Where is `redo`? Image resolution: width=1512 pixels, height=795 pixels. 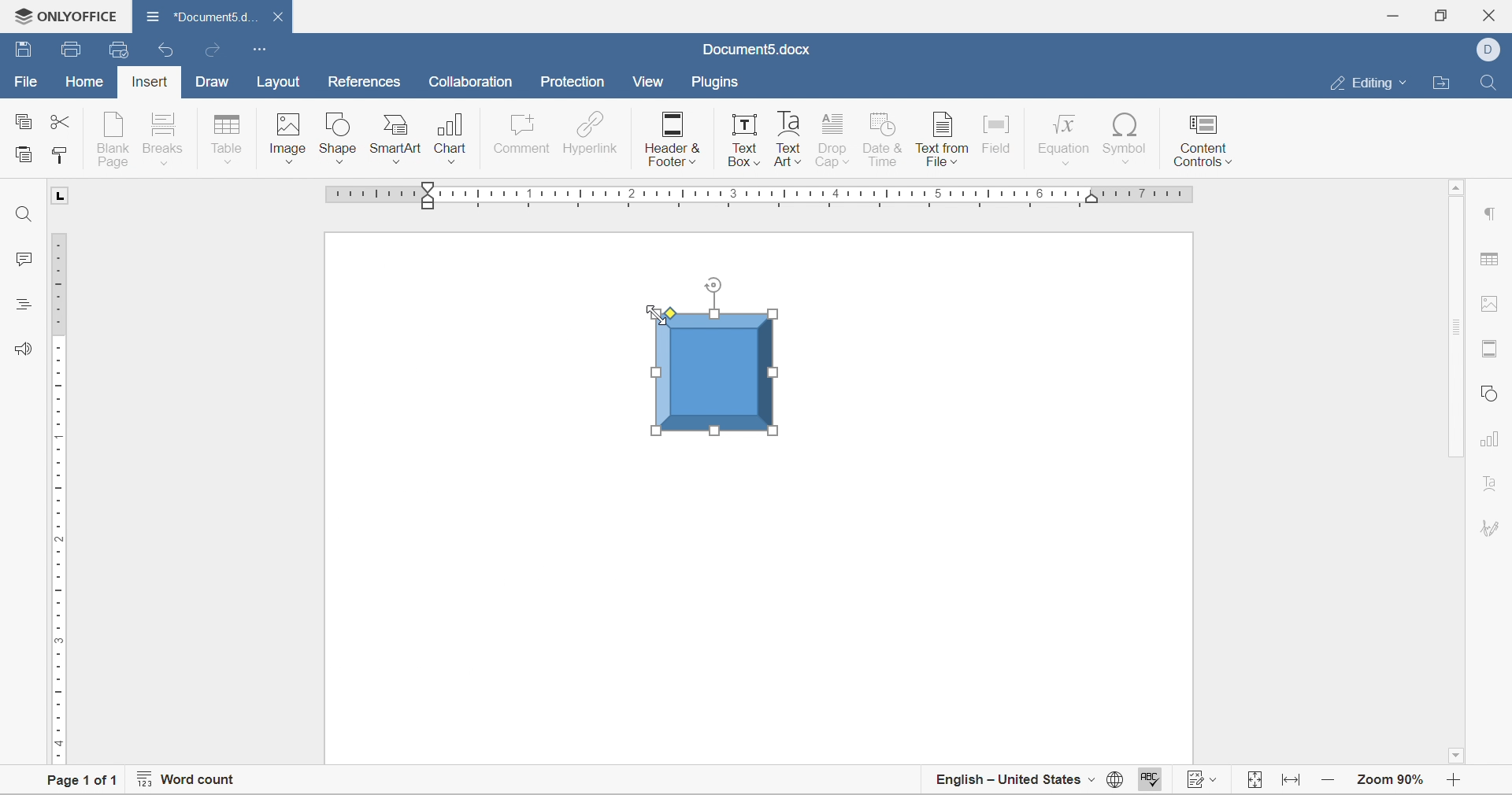
redo is located at coordinates (215, 52).